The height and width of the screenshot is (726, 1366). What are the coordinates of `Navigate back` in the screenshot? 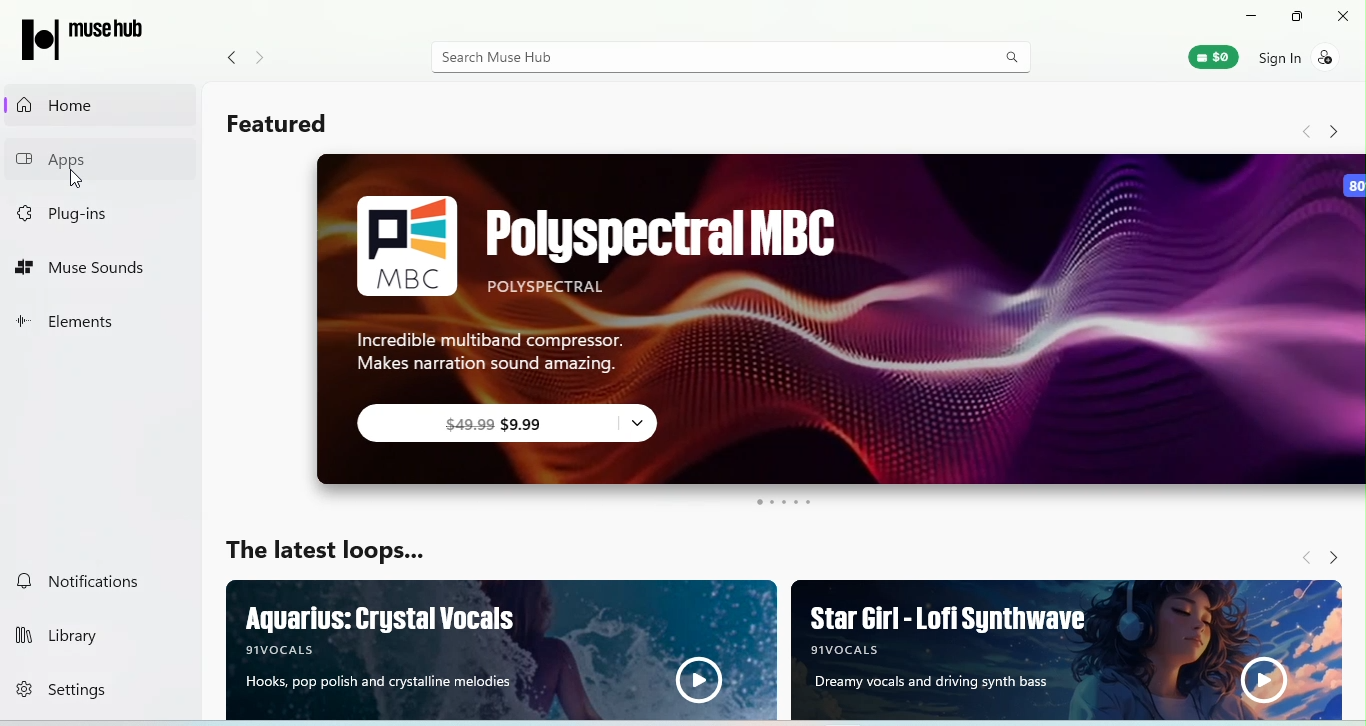 It's located at (1299, 556).